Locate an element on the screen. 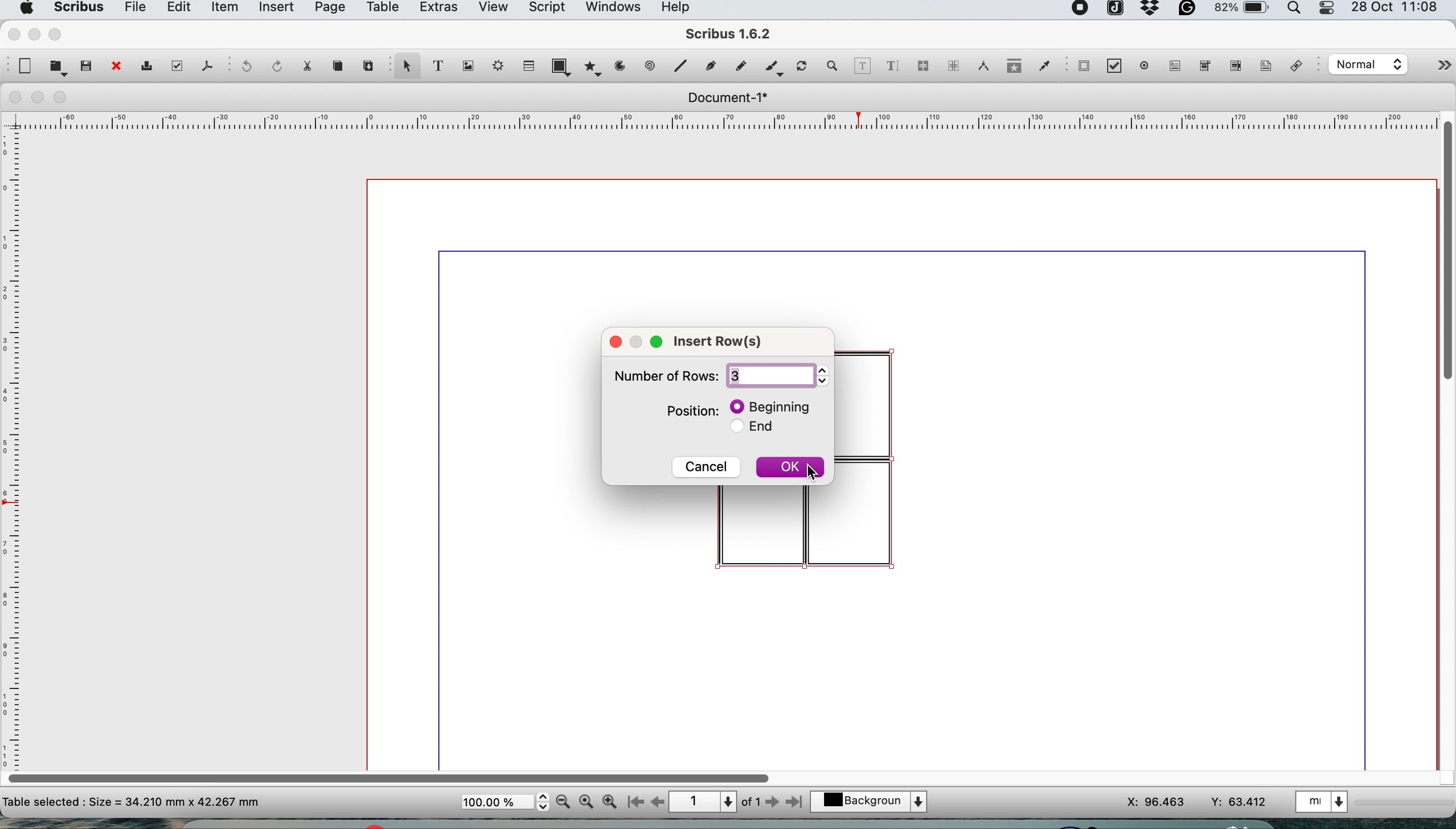  maximise is located at coordinates (58, 34).